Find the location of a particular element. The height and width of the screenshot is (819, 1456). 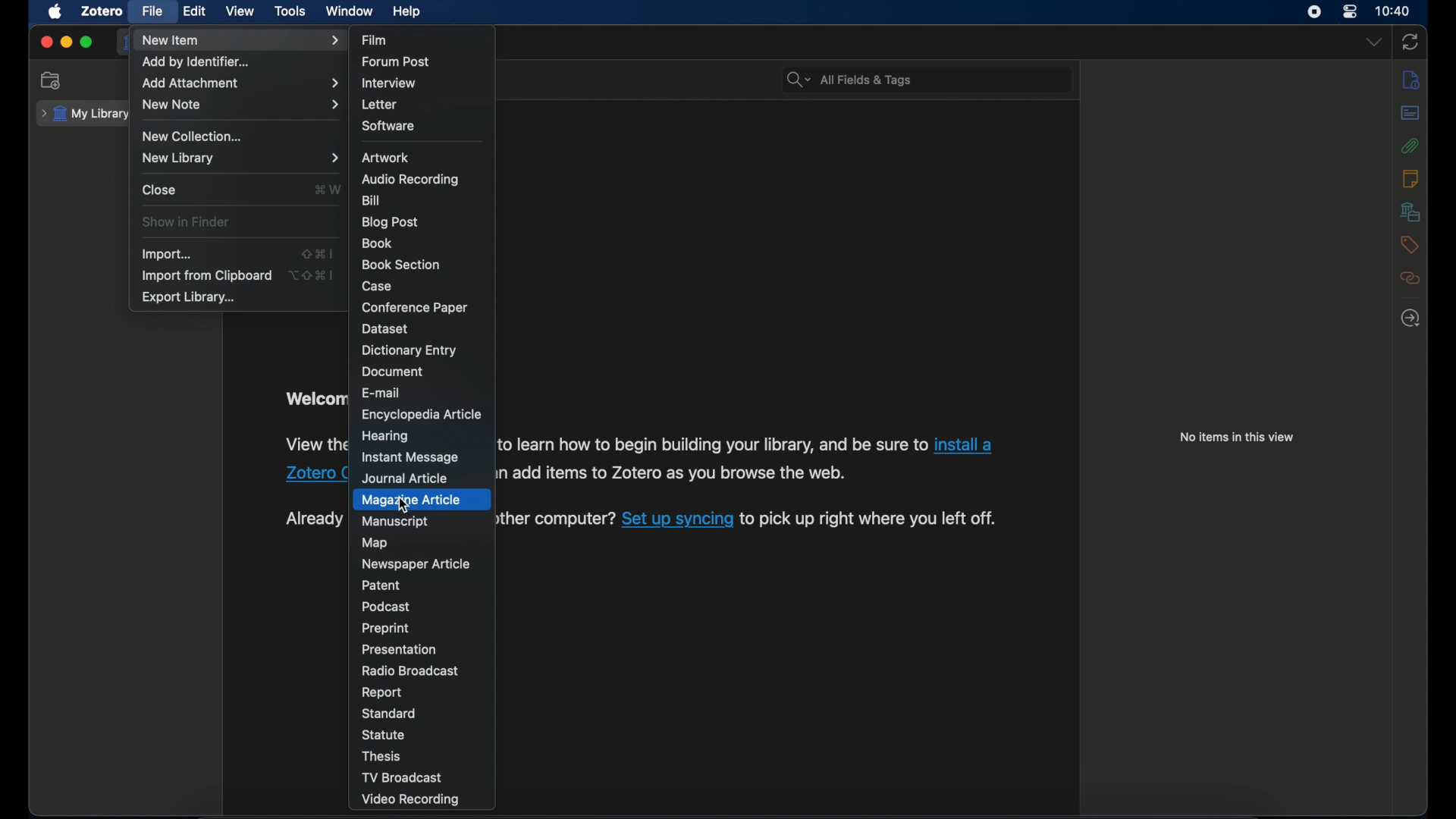

cursor is located at coordinates (405, 506).